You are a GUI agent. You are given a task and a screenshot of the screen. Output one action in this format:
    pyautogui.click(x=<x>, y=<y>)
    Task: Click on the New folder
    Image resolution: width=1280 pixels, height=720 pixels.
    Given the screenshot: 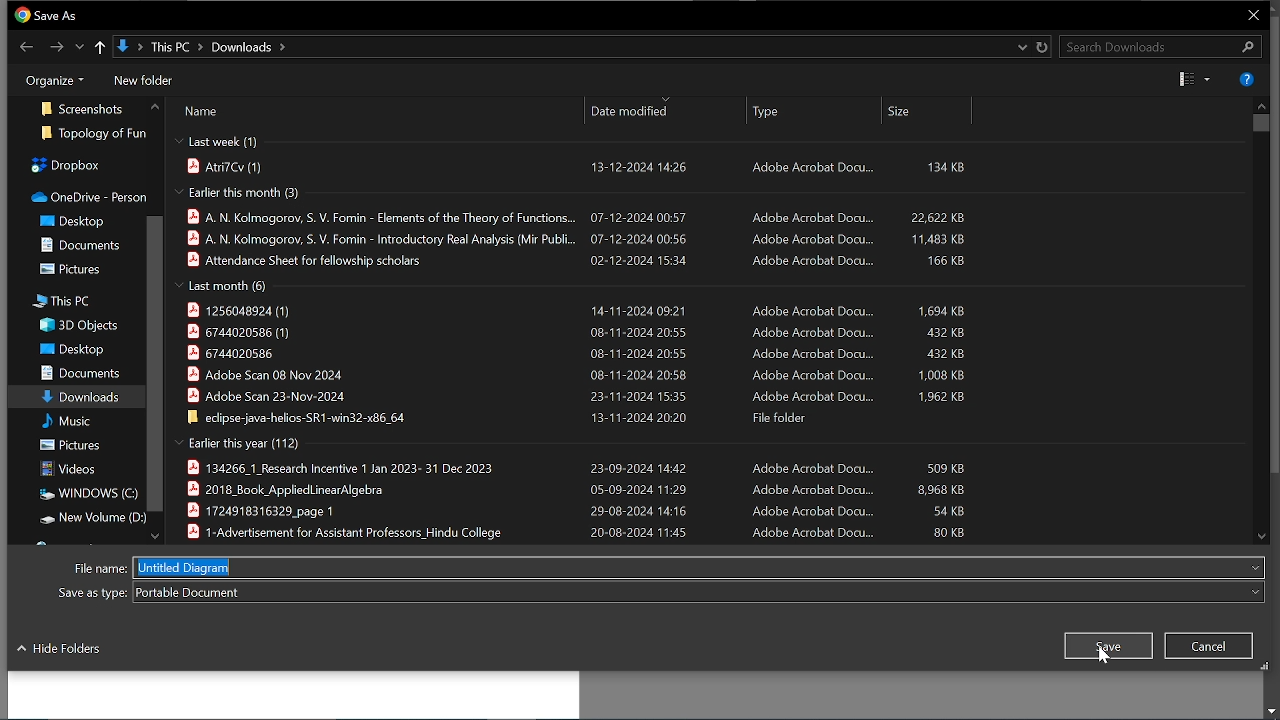 What is the action you would take?
    pyautogui.click(x=143, y=80)
    